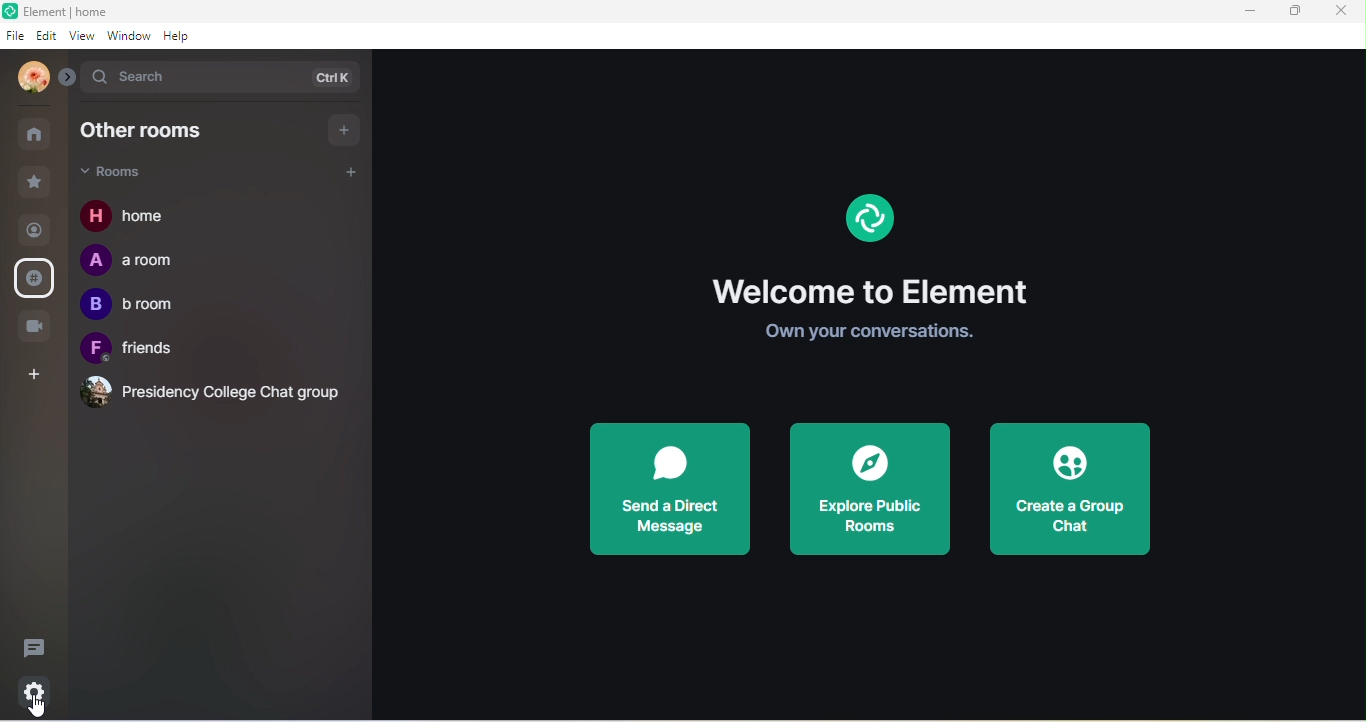 Image resolution: width=1366 pixels, height=722 pixels. I want to click on minimize, so click(1249, 15).